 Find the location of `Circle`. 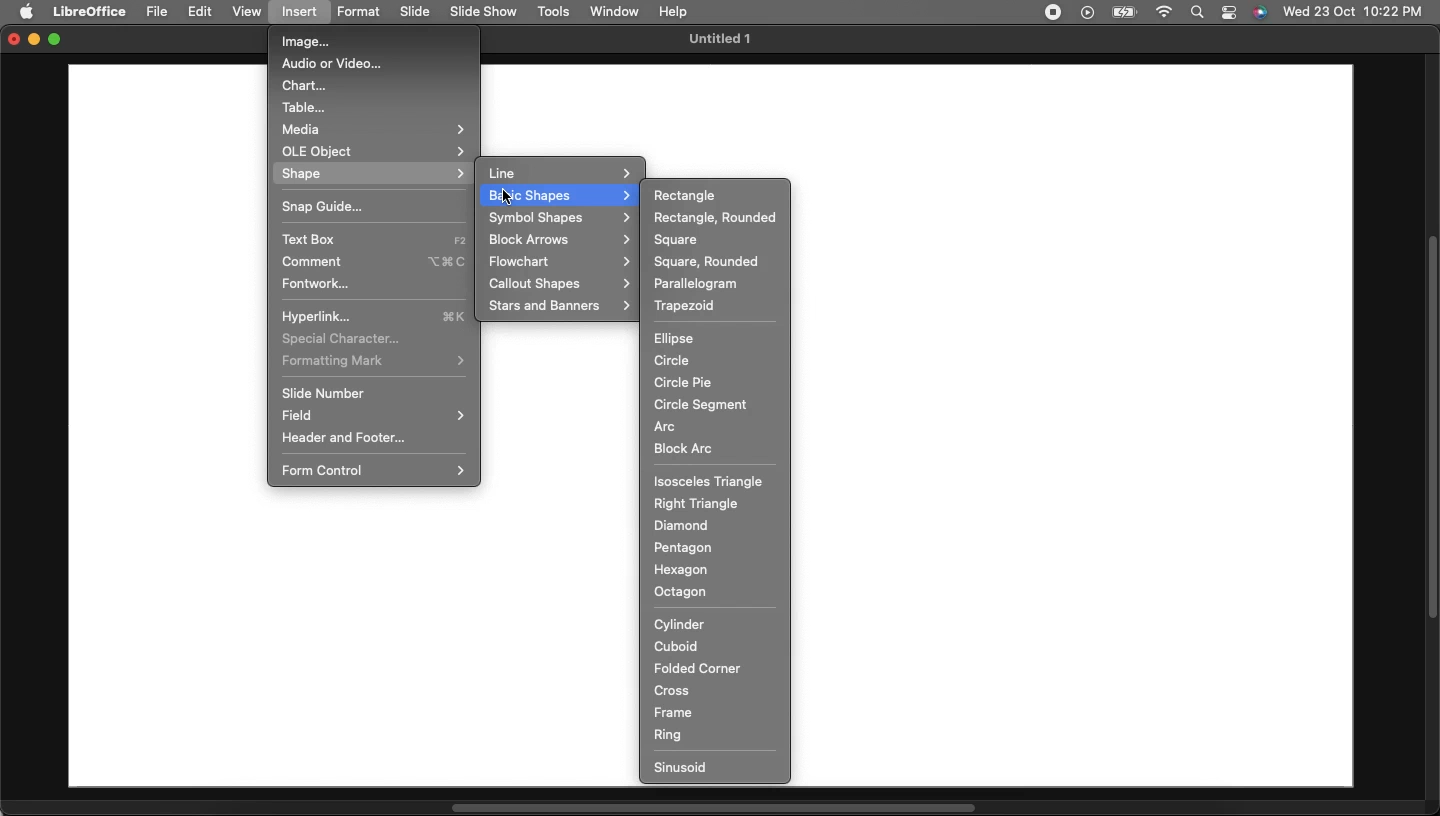

Circle is located at coordinates (672, 360).